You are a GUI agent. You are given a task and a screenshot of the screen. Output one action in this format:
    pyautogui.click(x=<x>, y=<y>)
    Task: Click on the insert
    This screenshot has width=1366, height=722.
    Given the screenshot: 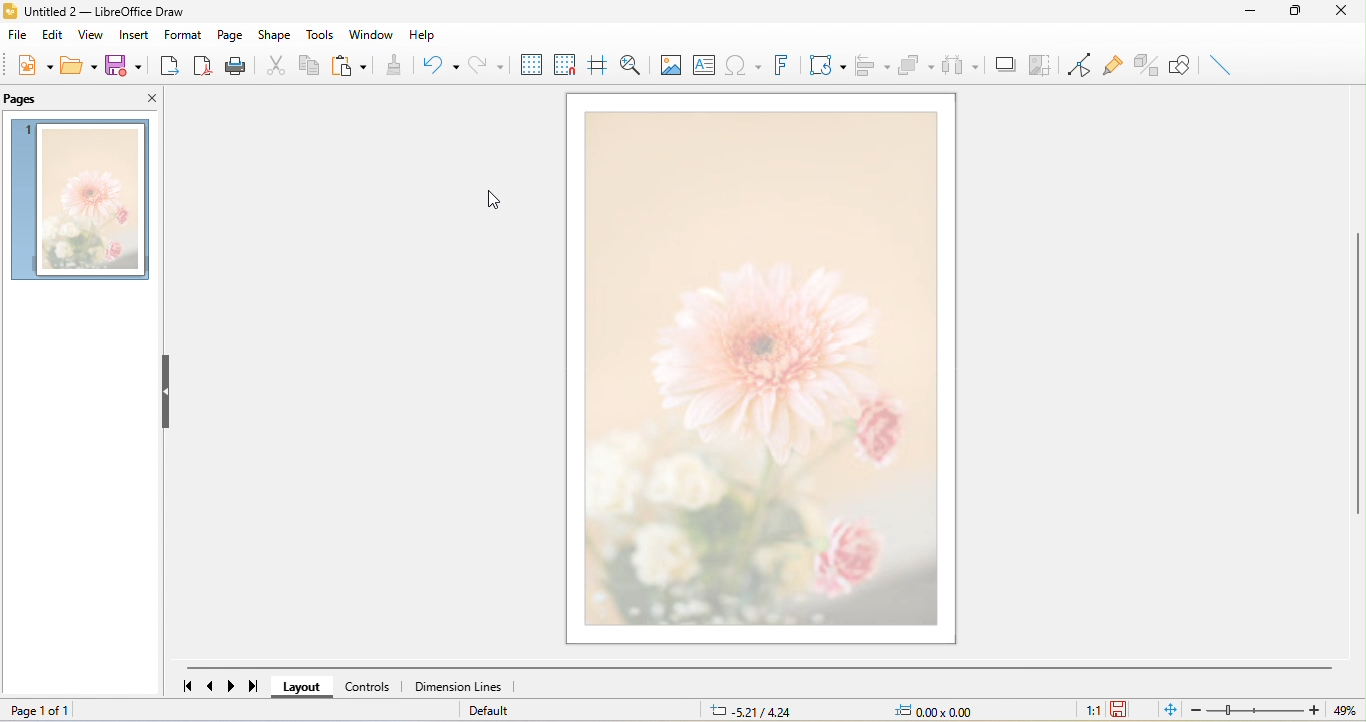 What is the action you would take?
    pyautogui.click(x=138, y=33)
    